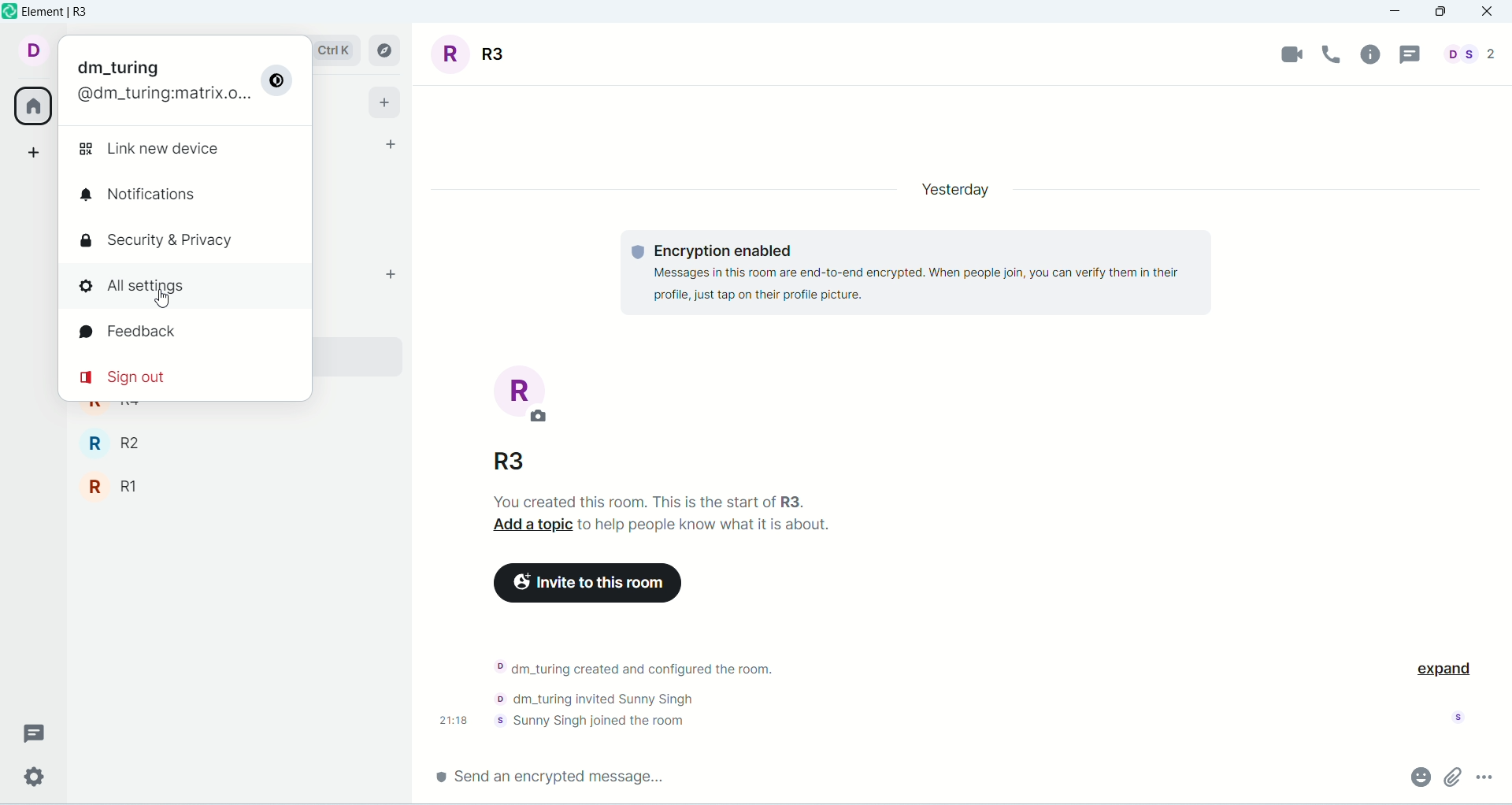 The width and height of the screenshot is (1512, 805). I want to click on sign out, so click(127, 380).